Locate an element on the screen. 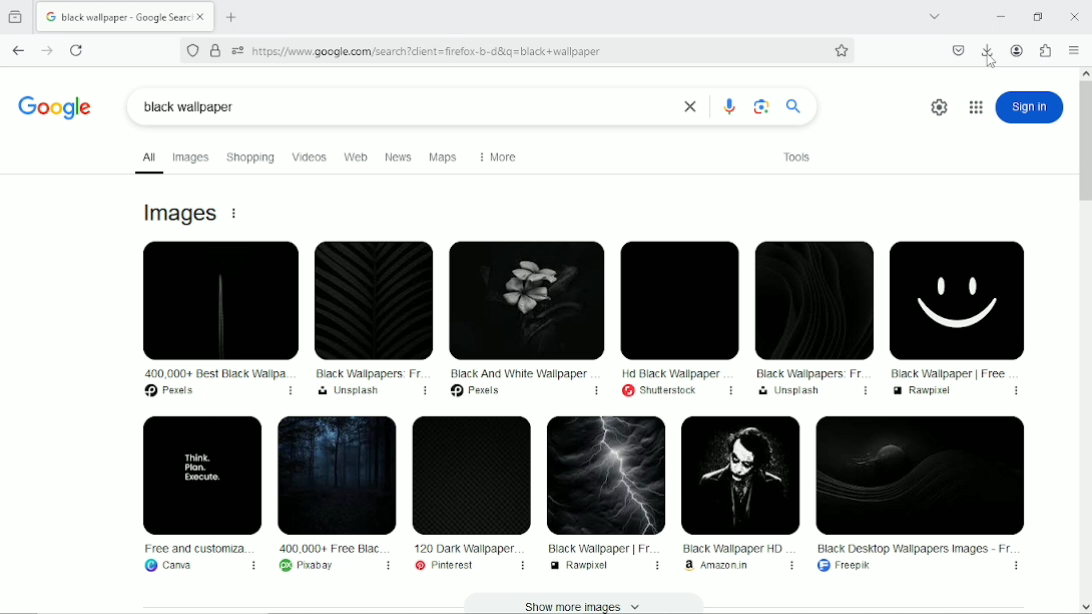 This screenshot has width=1092, height=614. Black Wallpapers: Fr is located at coordinates (812, 318).